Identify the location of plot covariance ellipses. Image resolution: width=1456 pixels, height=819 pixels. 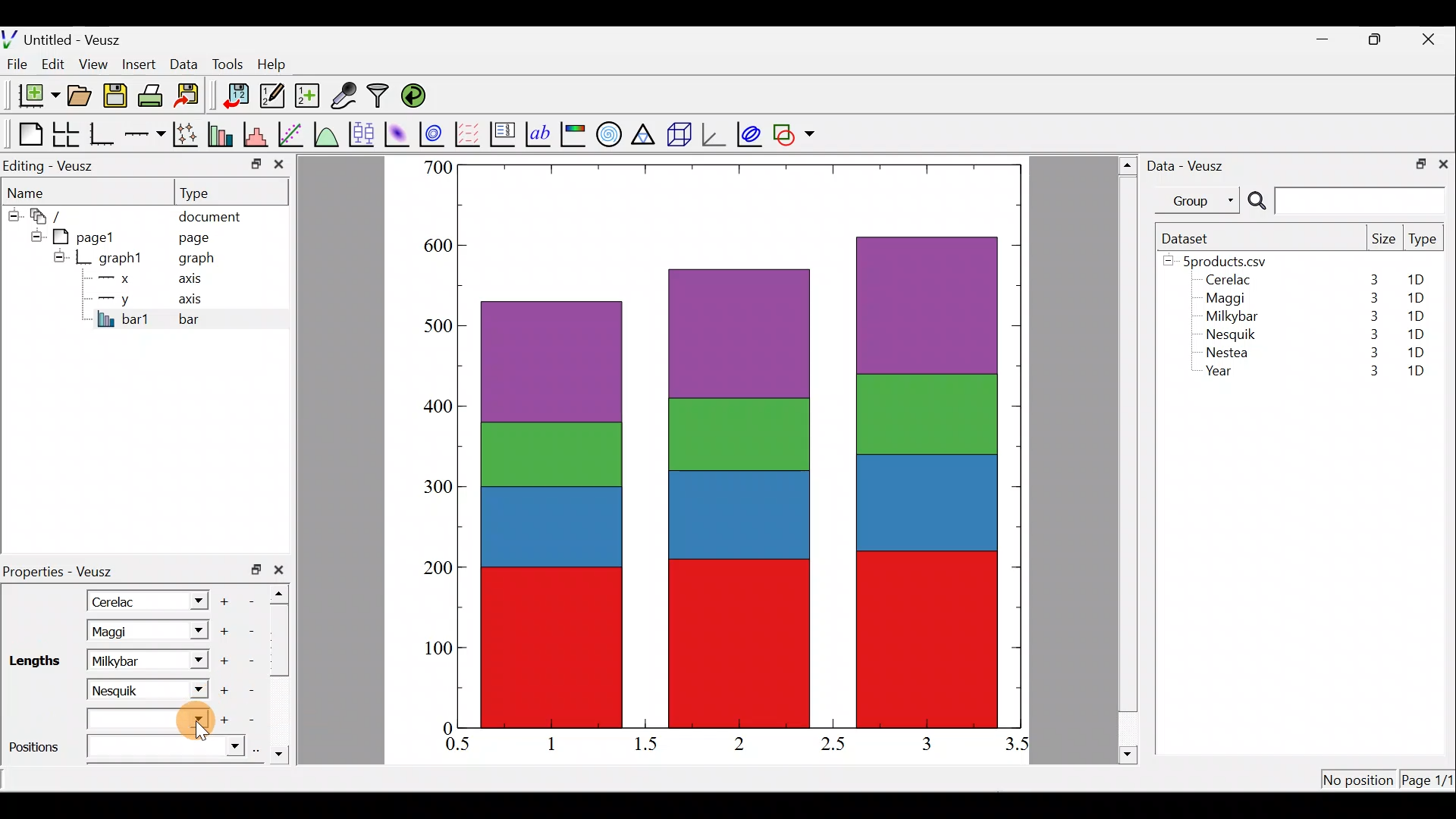
(751, 133).